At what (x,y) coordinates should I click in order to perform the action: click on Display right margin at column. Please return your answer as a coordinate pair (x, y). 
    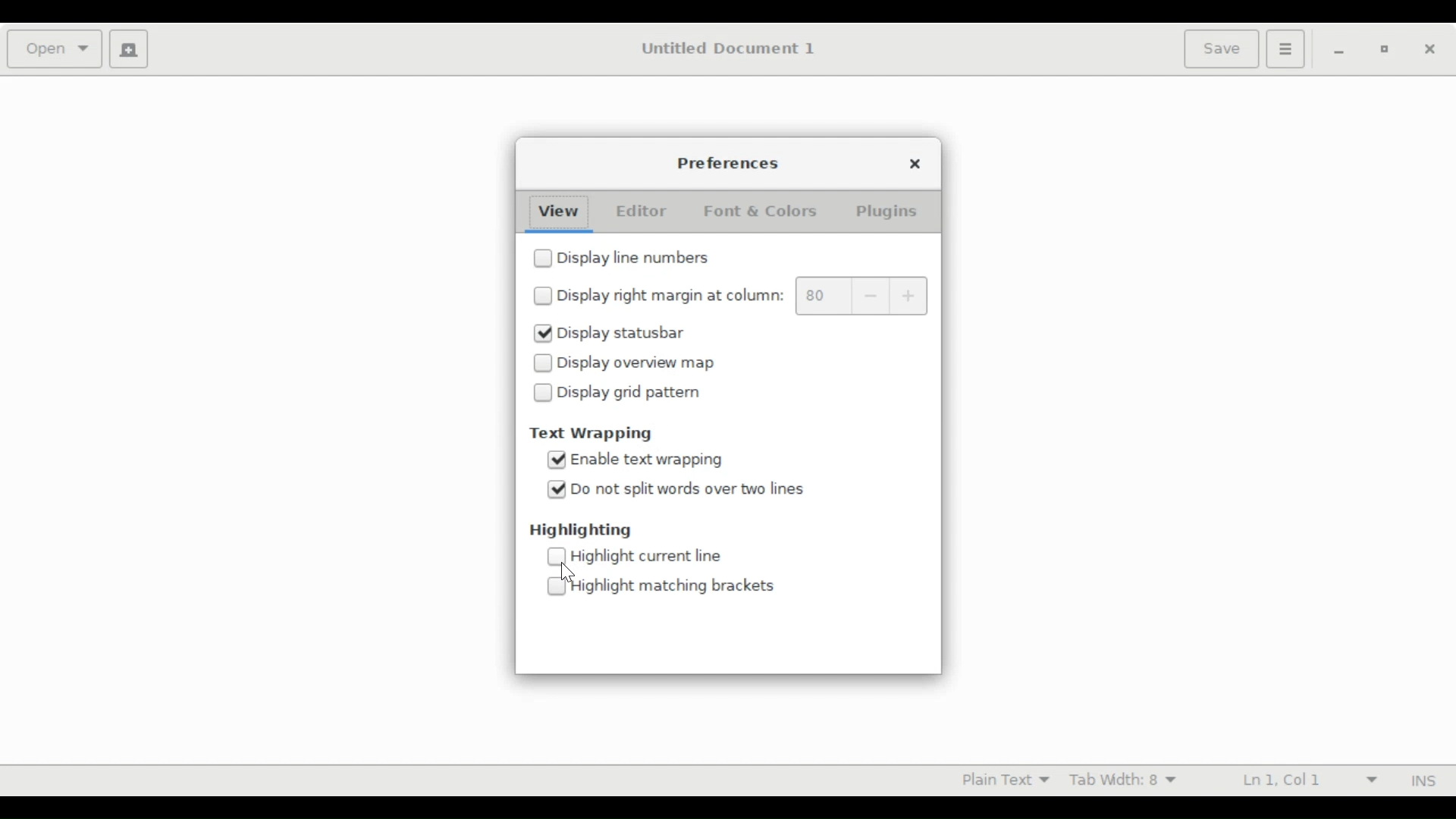
    Looking at the image, I should click on (670, 297).